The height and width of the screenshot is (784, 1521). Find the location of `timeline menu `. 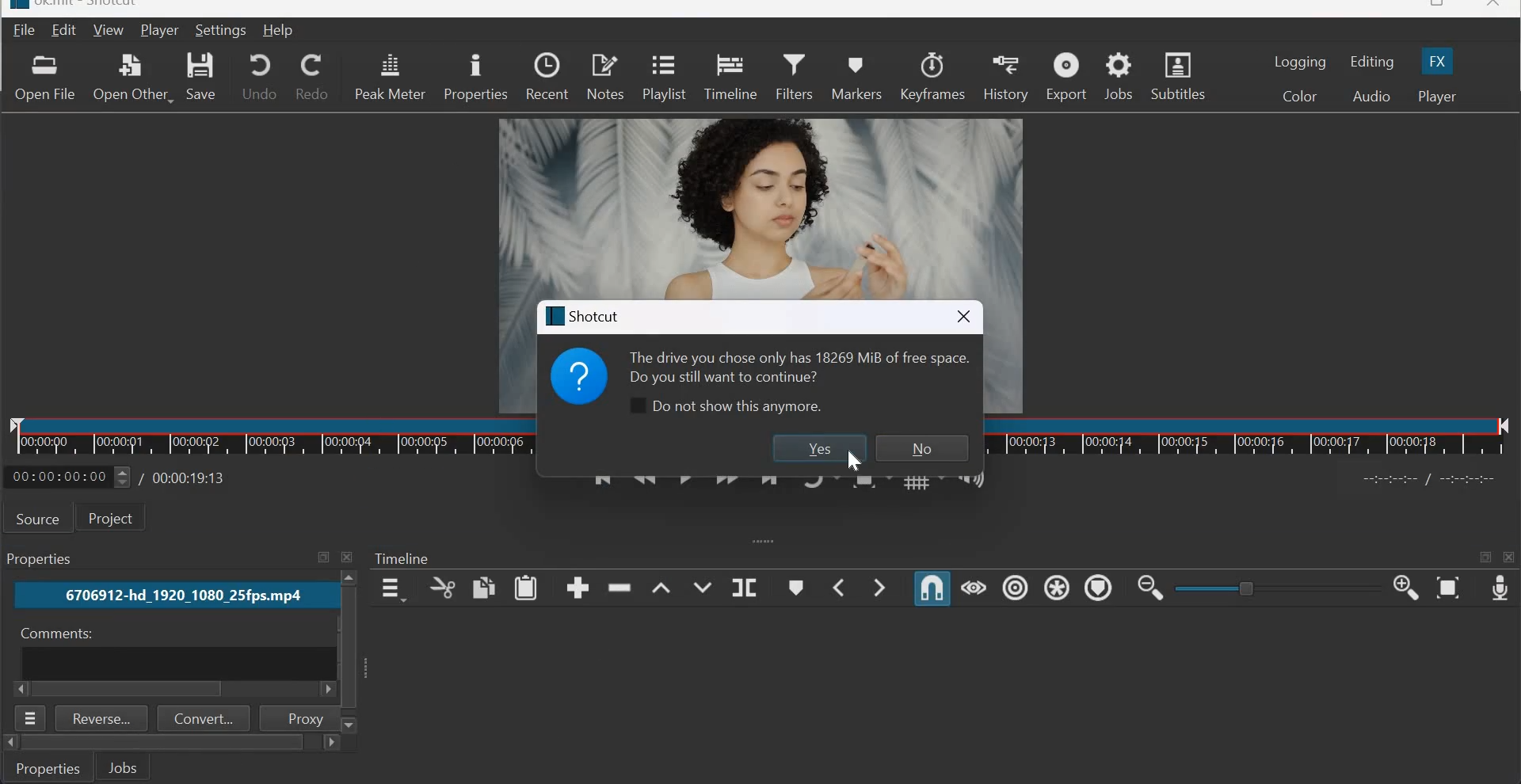

timeline menu  is located at coordinates (391, 588).